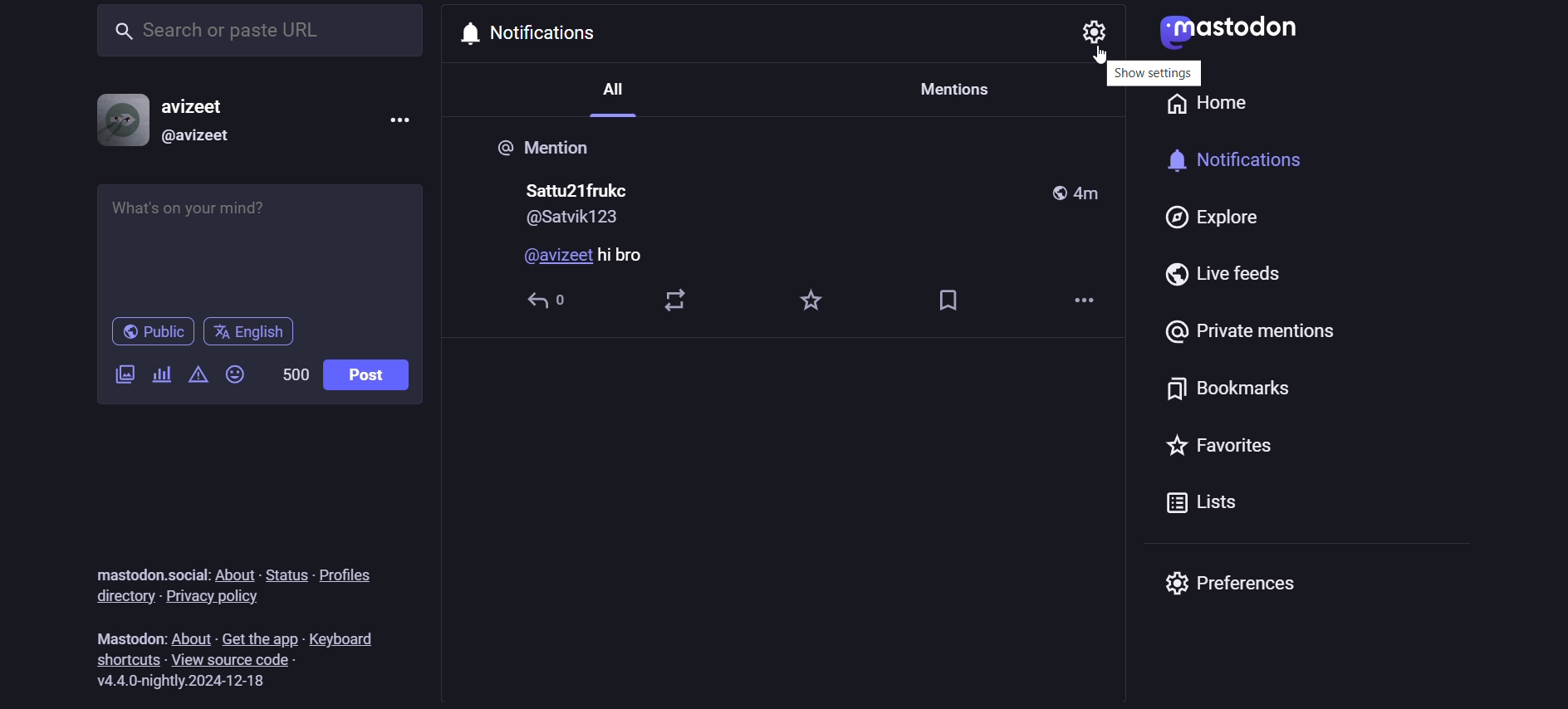 The width and height of the screenshot is (1568, 709). What do you see at coordinates (1227, 447) in the screenshot?
I see `favorites` at bounding box center [1227, 447].